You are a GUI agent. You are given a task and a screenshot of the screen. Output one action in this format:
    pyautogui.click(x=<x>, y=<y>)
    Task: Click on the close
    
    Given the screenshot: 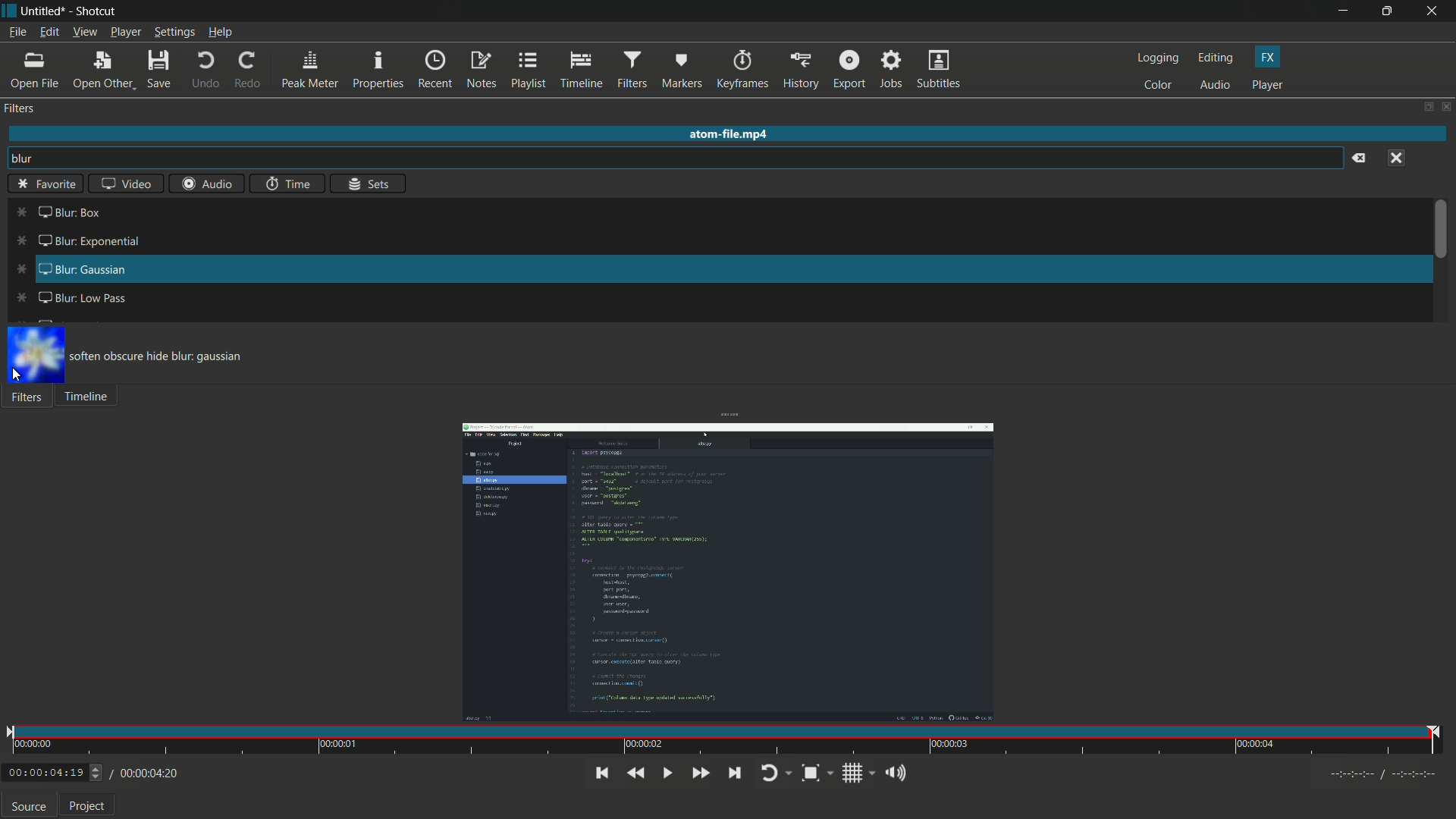 What is the action you would take?
    pyautogui.click(x=1442, y=109)
    